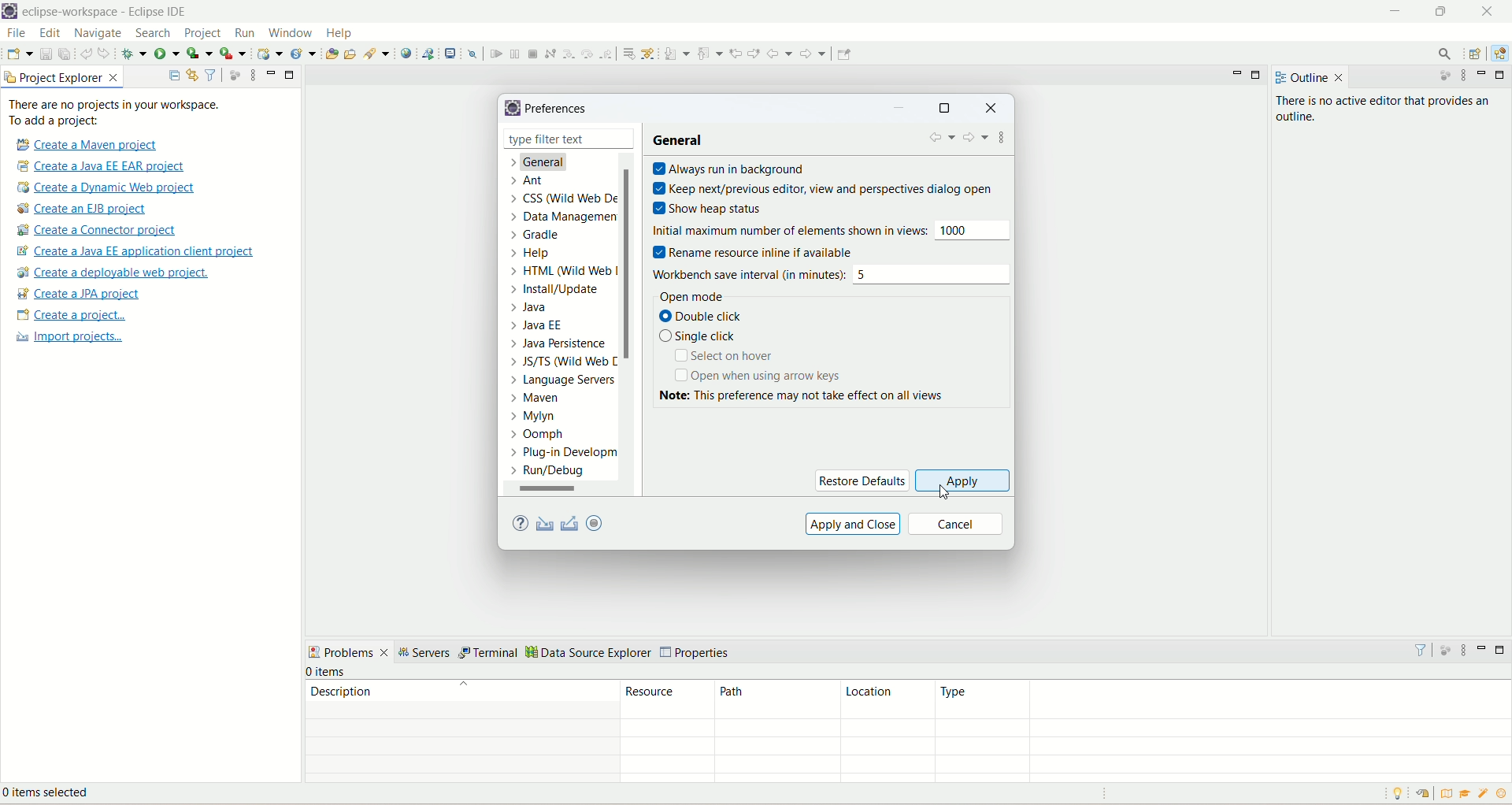 The height and width of the screenshot is (805, 1512). Describe the element at coordinates (550, 53) in the screenshot. I see `disconnect` at that location.